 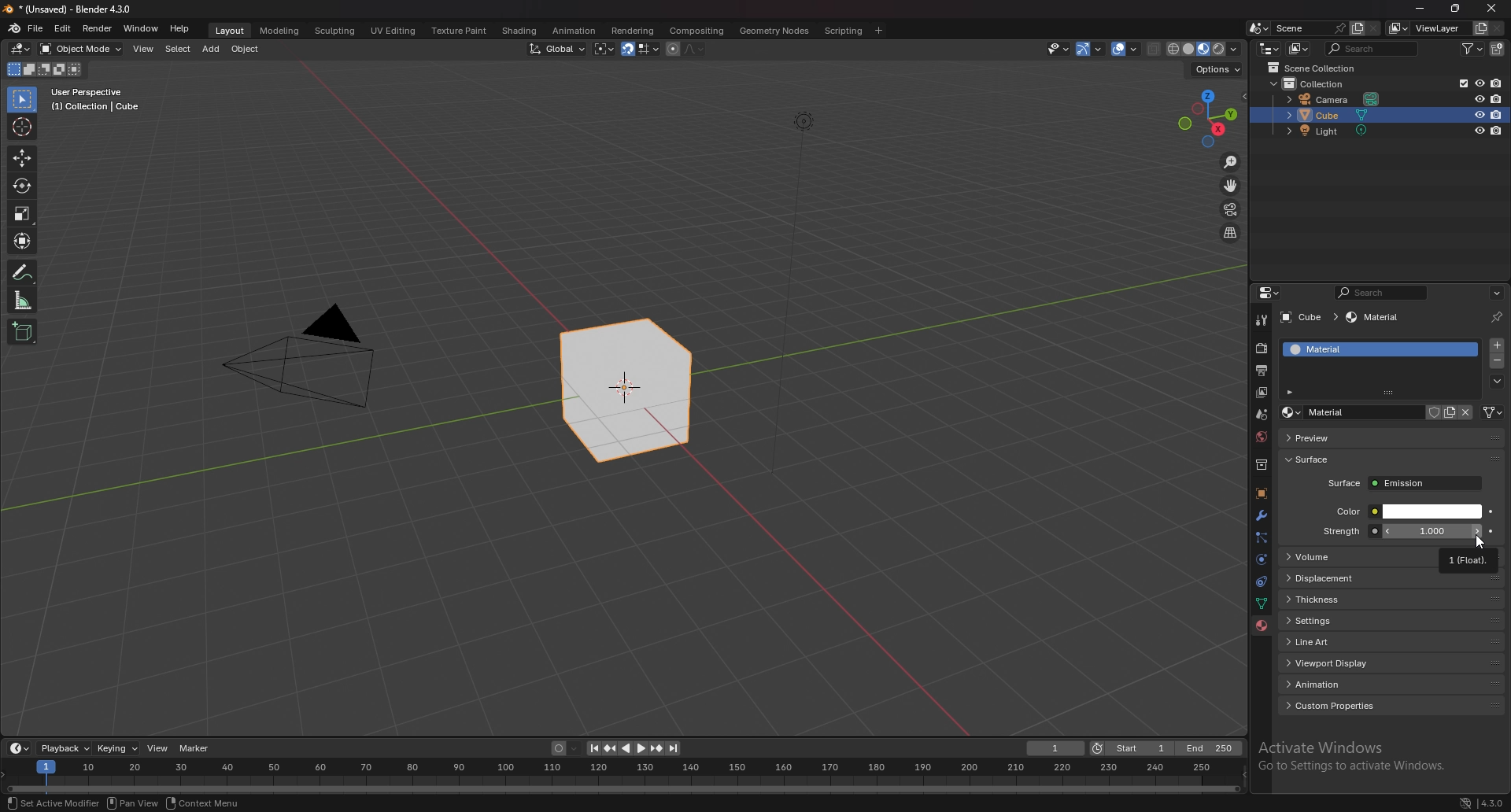 I want to click on Activate Windows Go to Settings to activate Windows., so click(x=1355, y=758).